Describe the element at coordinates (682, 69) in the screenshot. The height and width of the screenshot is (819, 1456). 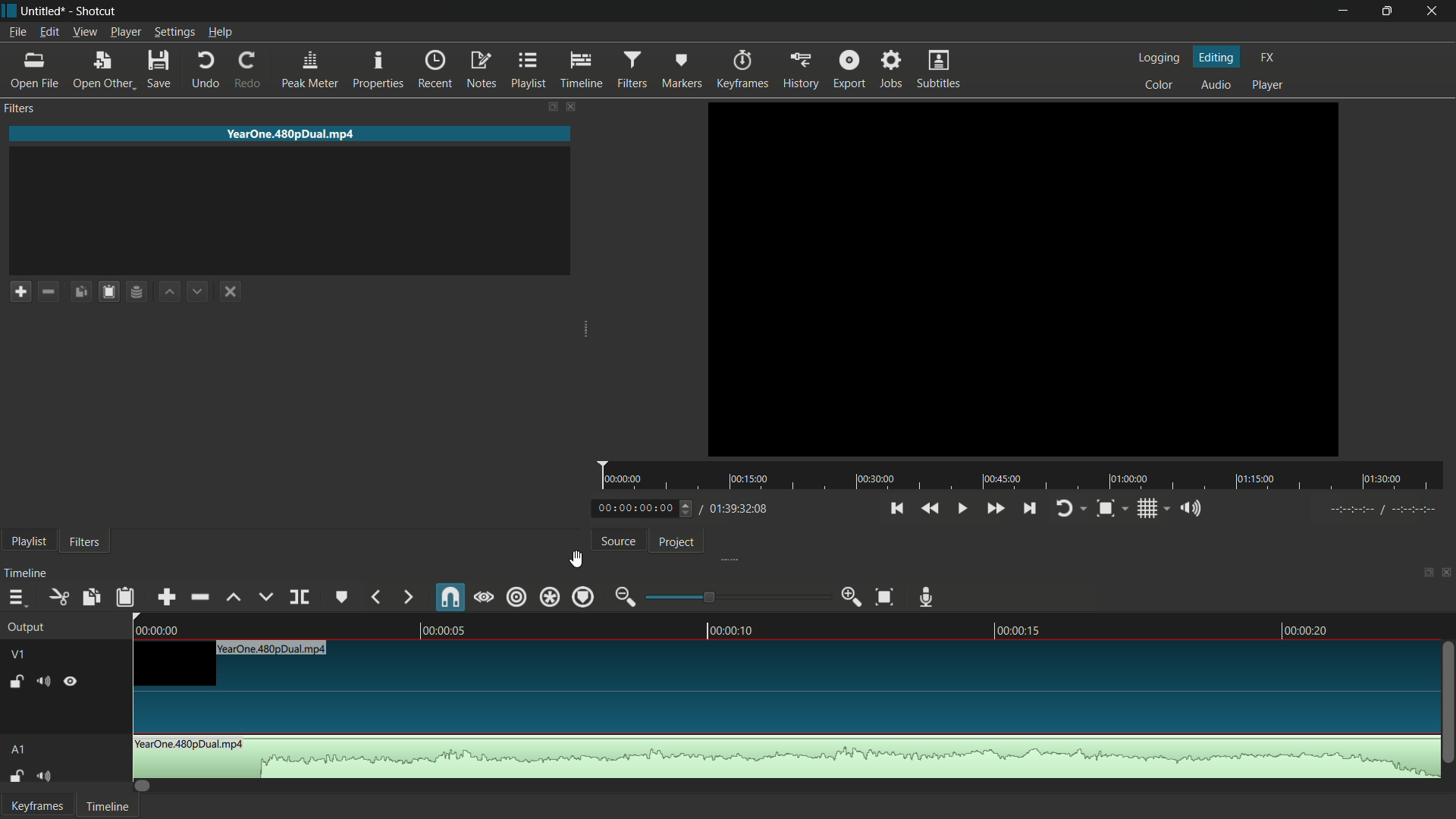
I see `marker` at that location.